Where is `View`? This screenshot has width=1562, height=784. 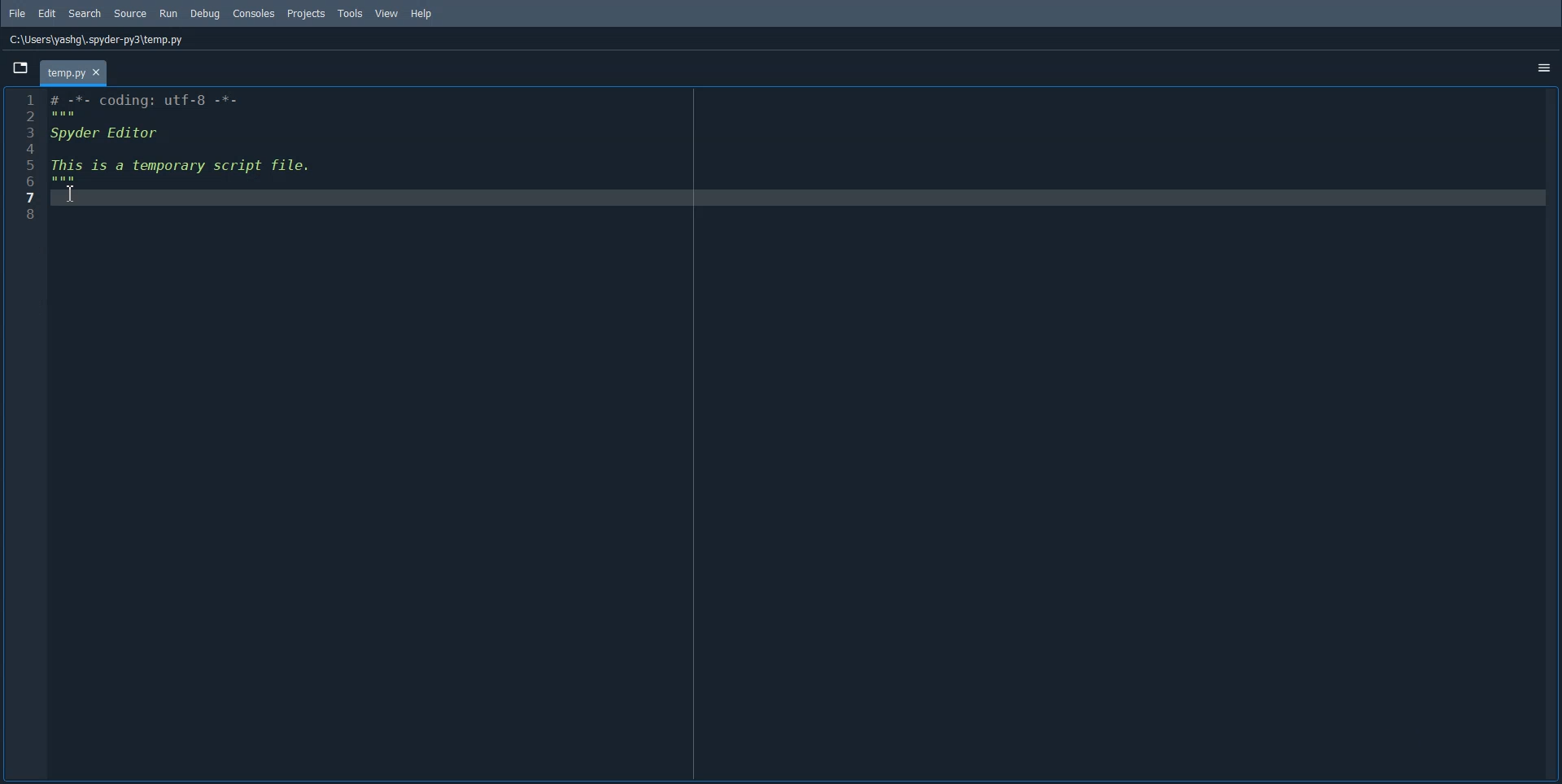 View is located at coordinates (387, 13).